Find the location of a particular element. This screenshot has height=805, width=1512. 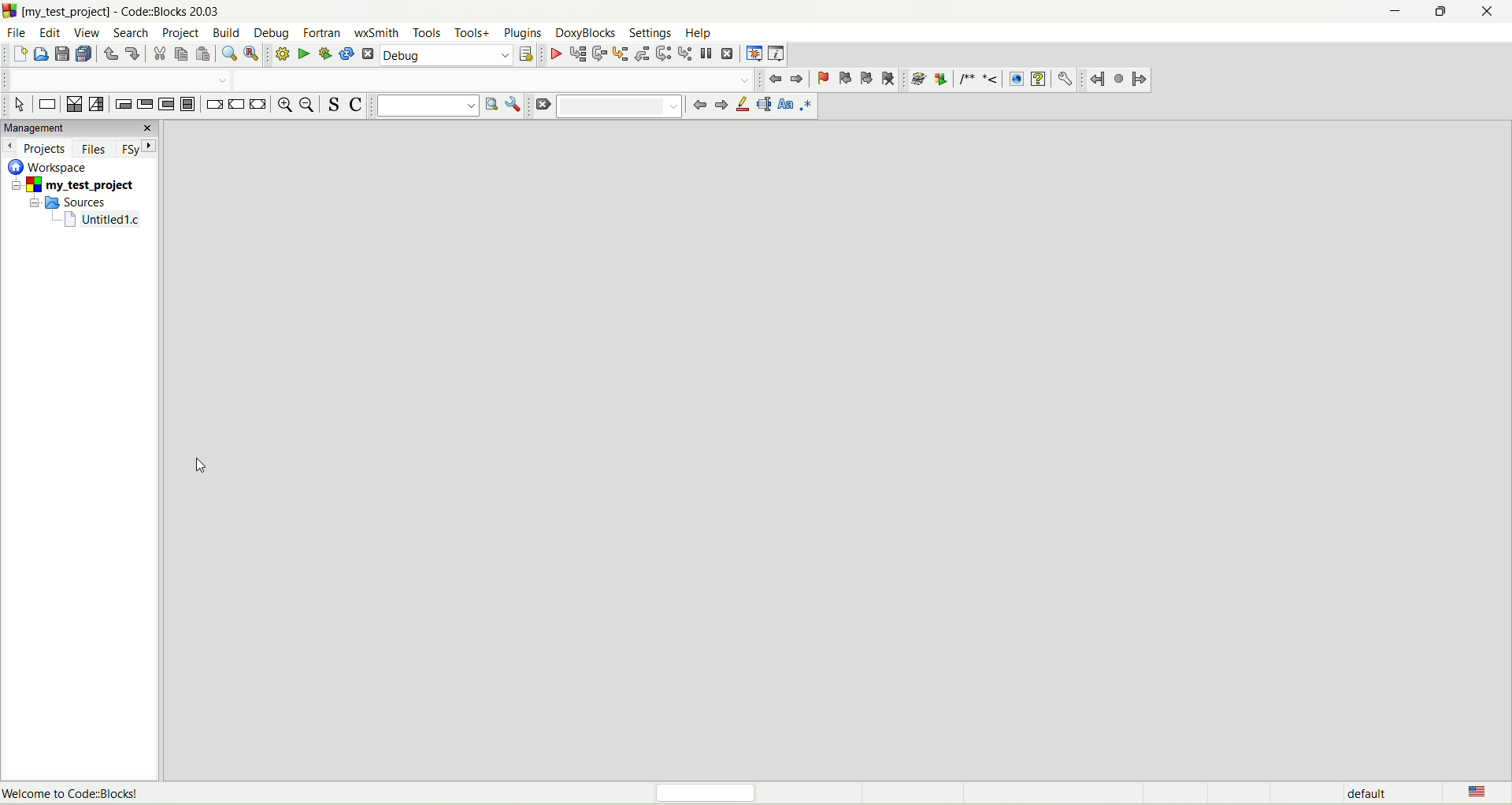

last jump is located at coordinates (1117, 79).